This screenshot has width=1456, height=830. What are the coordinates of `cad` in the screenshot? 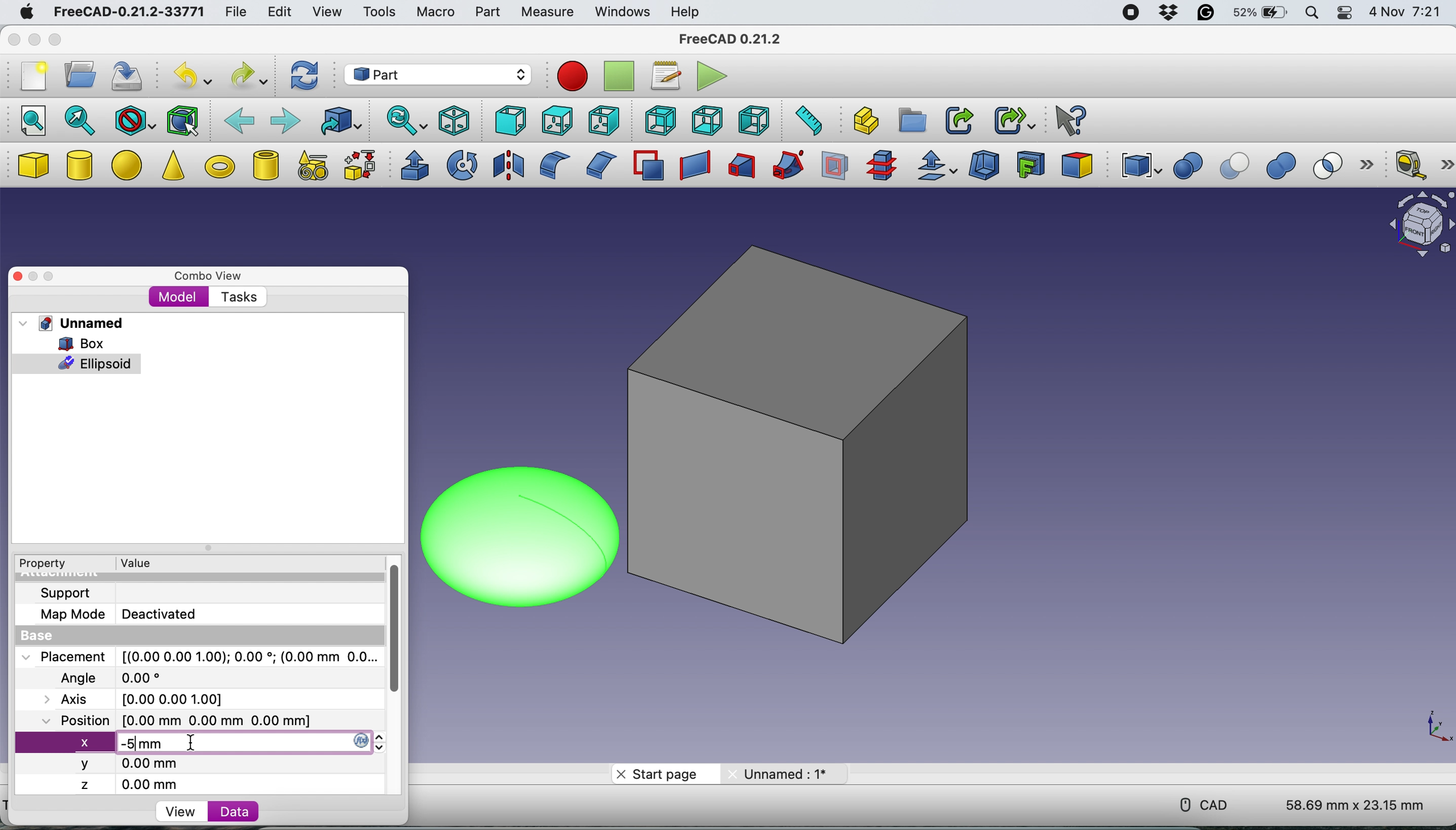 It's located at (1200, 805).